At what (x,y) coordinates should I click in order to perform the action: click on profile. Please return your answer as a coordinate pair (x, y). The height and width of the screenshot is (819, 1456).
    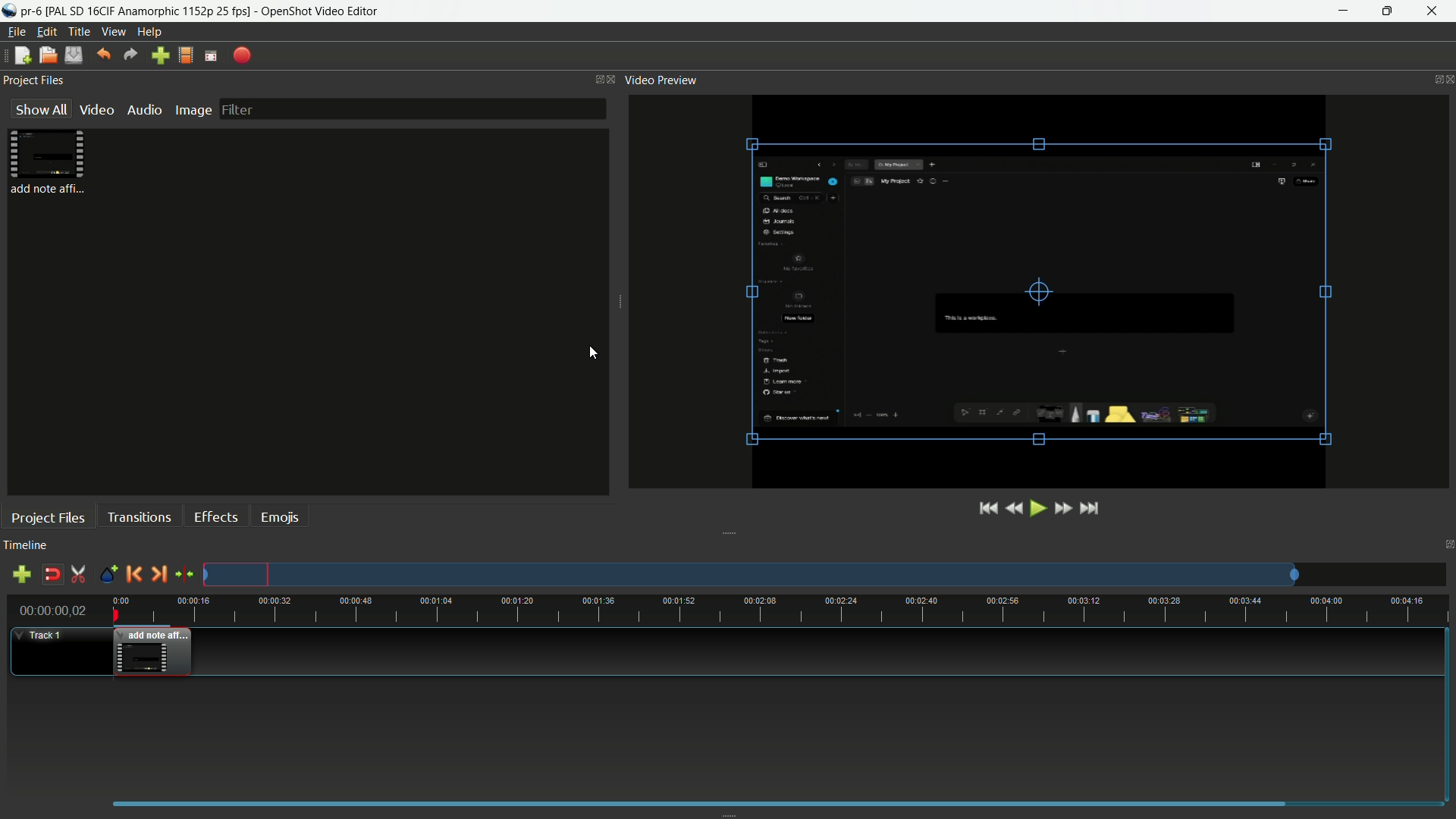
    Looking at the image, I should click on (186, 55).